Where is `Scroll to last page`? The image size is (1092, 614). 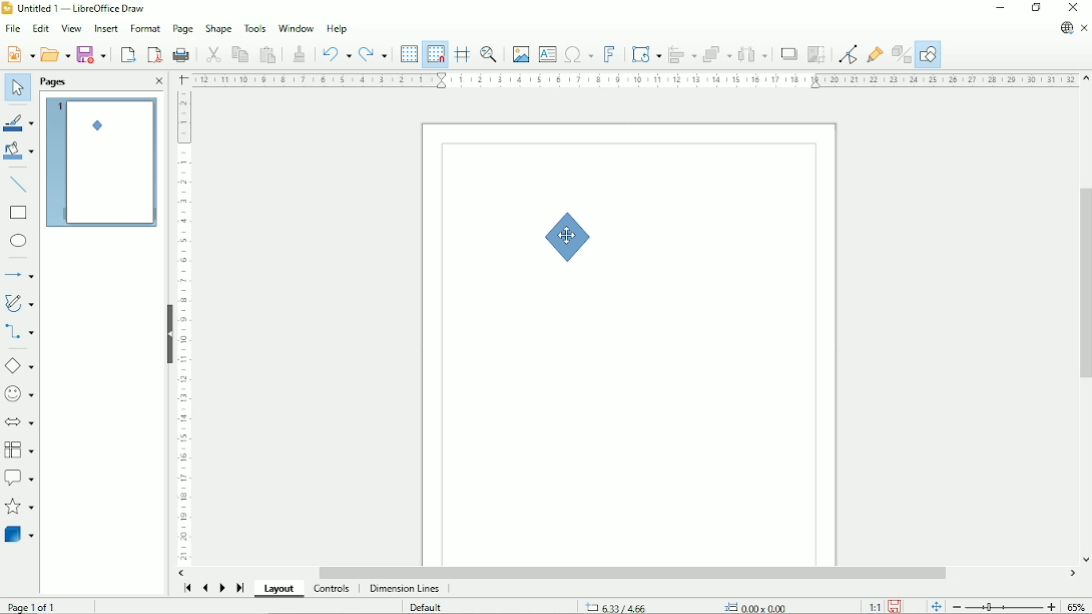
Scroll to last page is located at coordinates (241, 587).